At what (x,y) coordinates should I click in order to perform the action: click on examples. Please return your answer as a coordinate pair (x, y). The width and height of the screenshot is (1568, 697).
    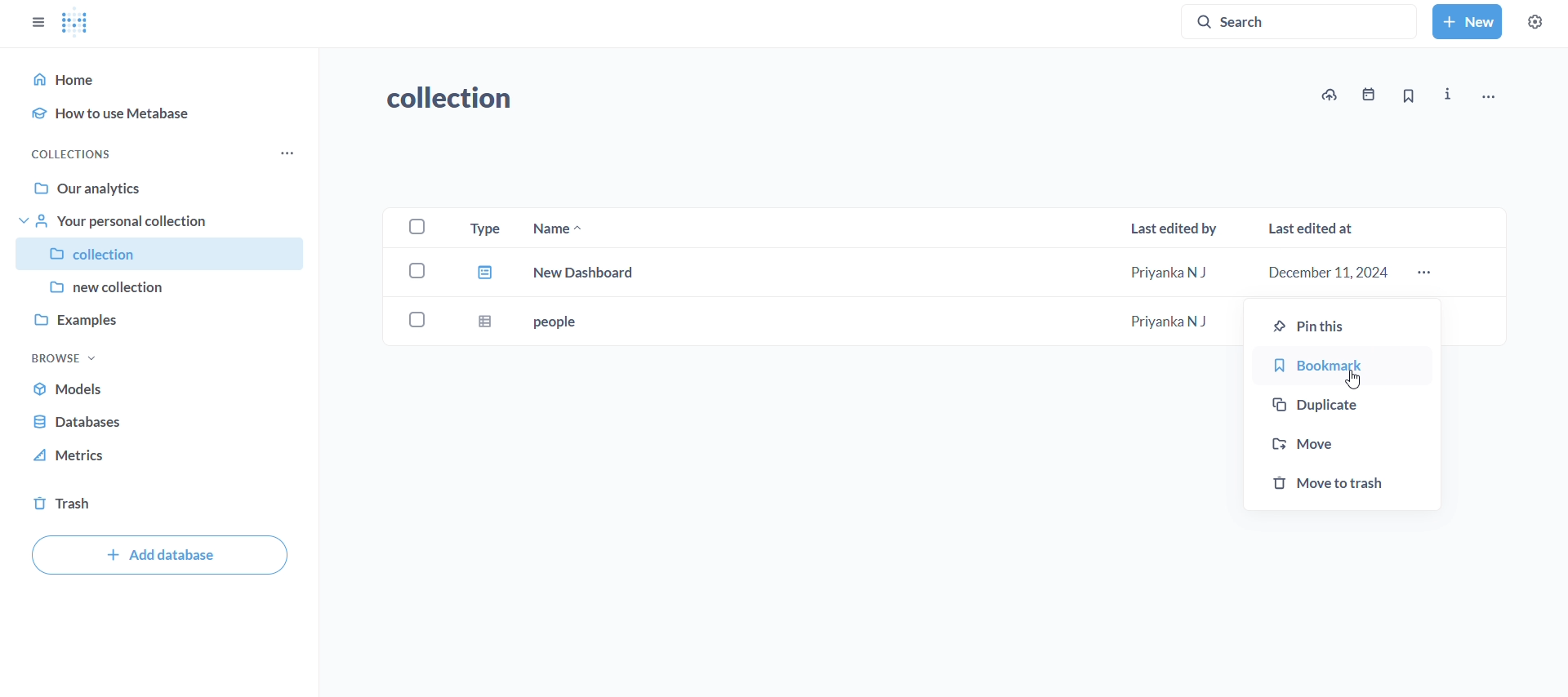
    Looking at the image, I should click on (159, 317).